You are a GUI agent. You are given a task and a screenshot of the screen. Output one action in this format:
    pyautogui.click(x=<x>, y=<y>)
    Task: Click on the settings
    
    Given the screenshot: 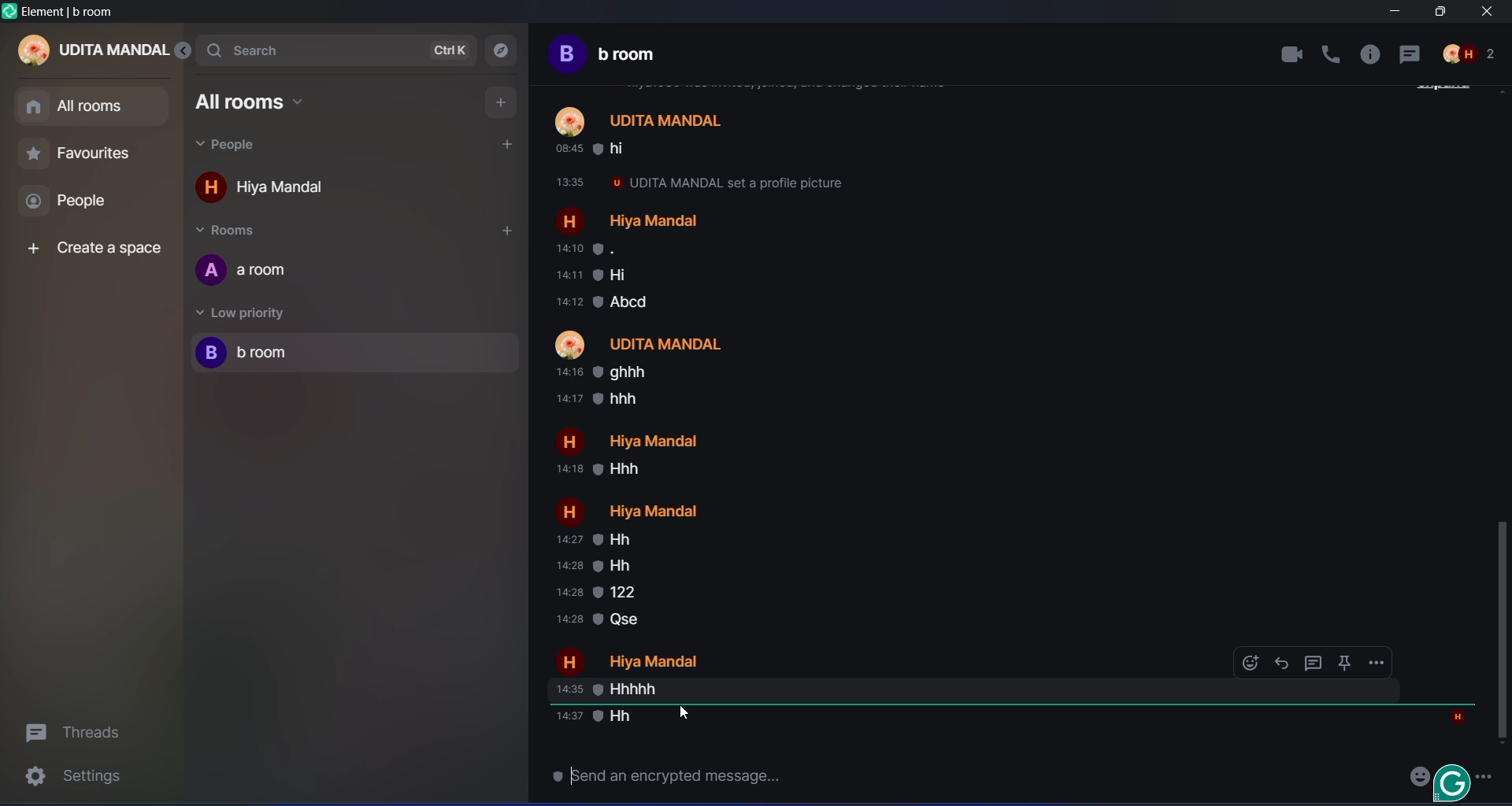 What is the action you would take?
    pyautogui.click(x=80, y=780)
    